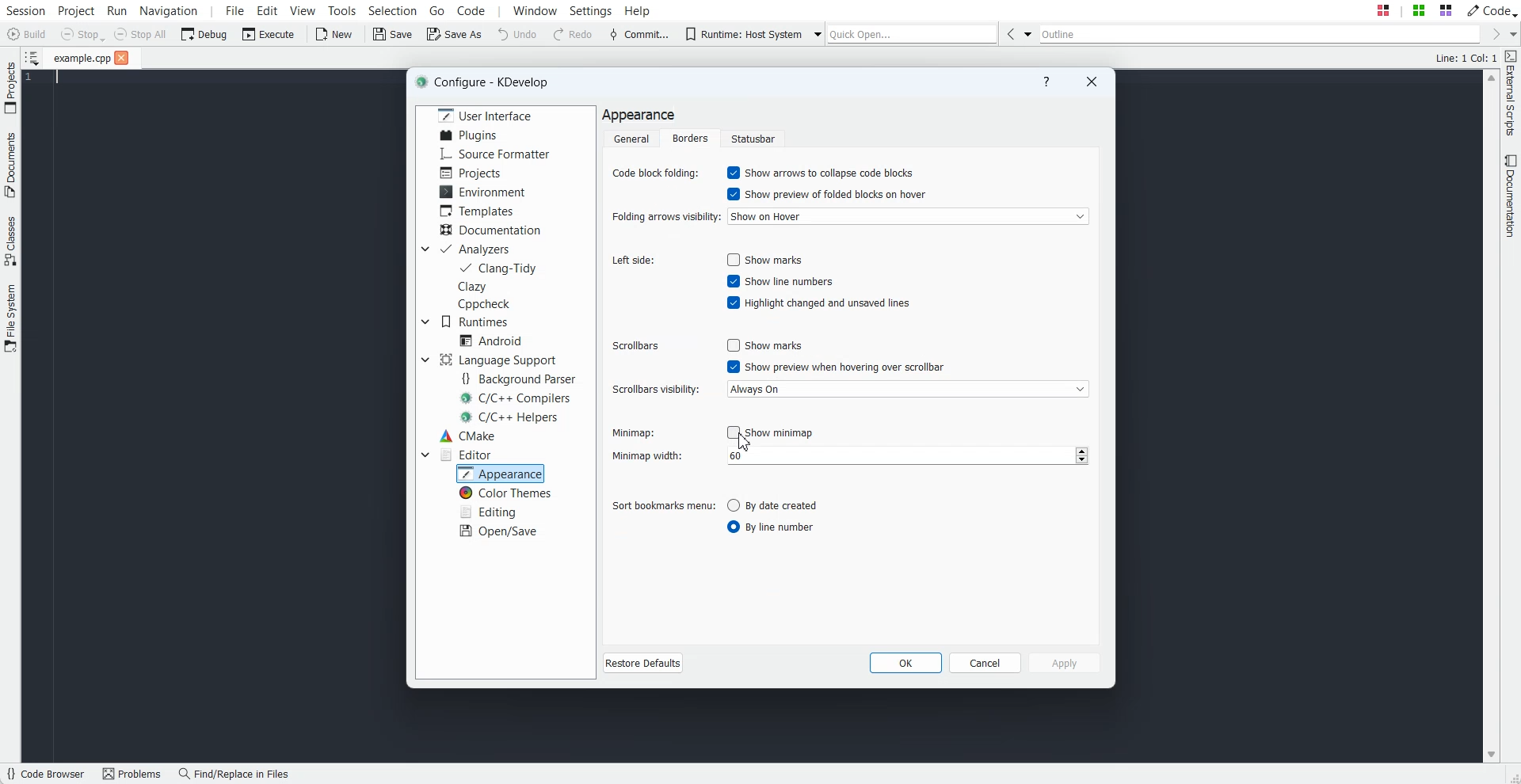  I want to click on Restore Defaults, so click(644, 663).